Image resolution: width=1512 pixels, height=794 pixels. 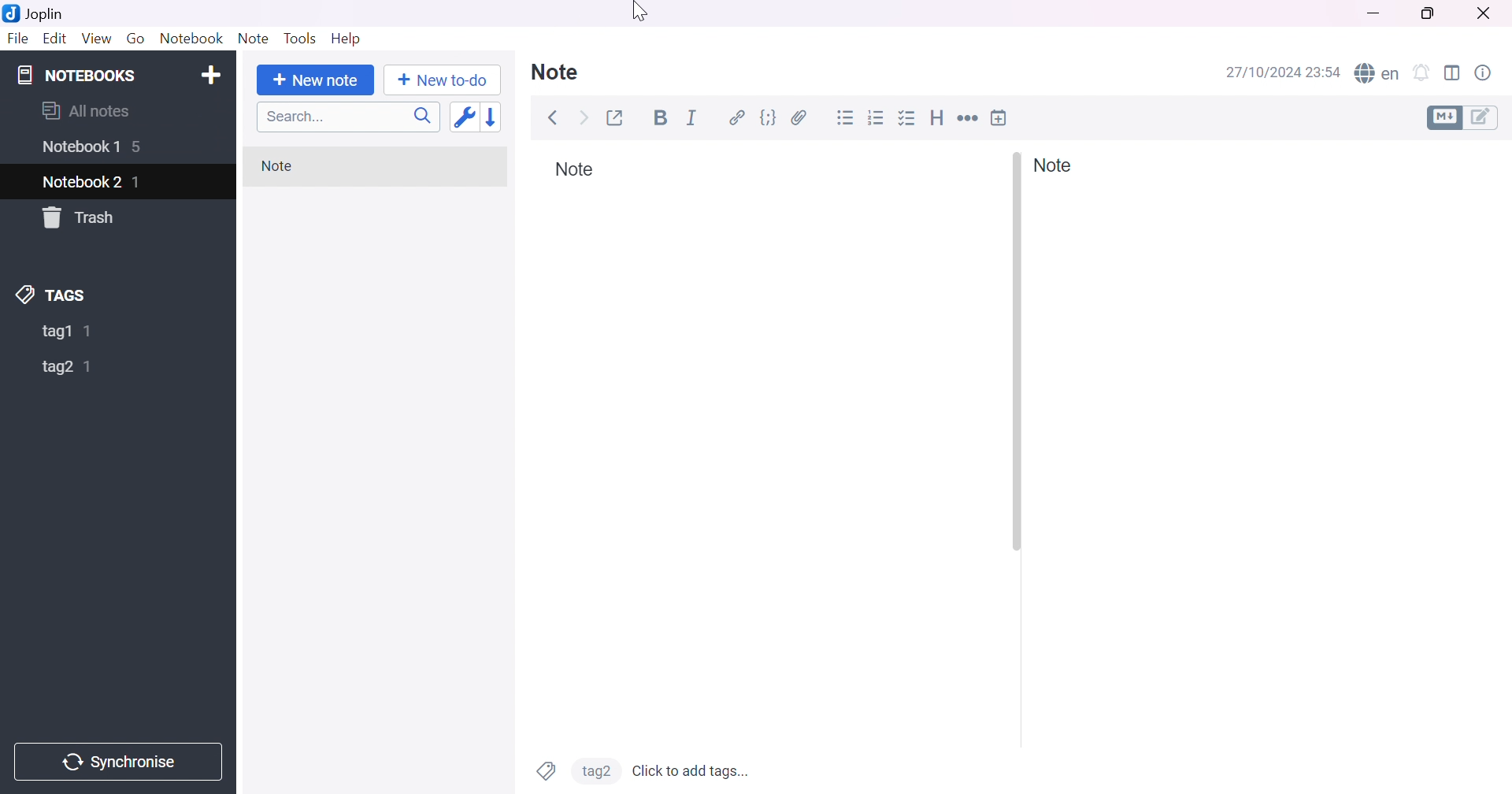 I want to click on Restore down, so click(x=1429, y=15).